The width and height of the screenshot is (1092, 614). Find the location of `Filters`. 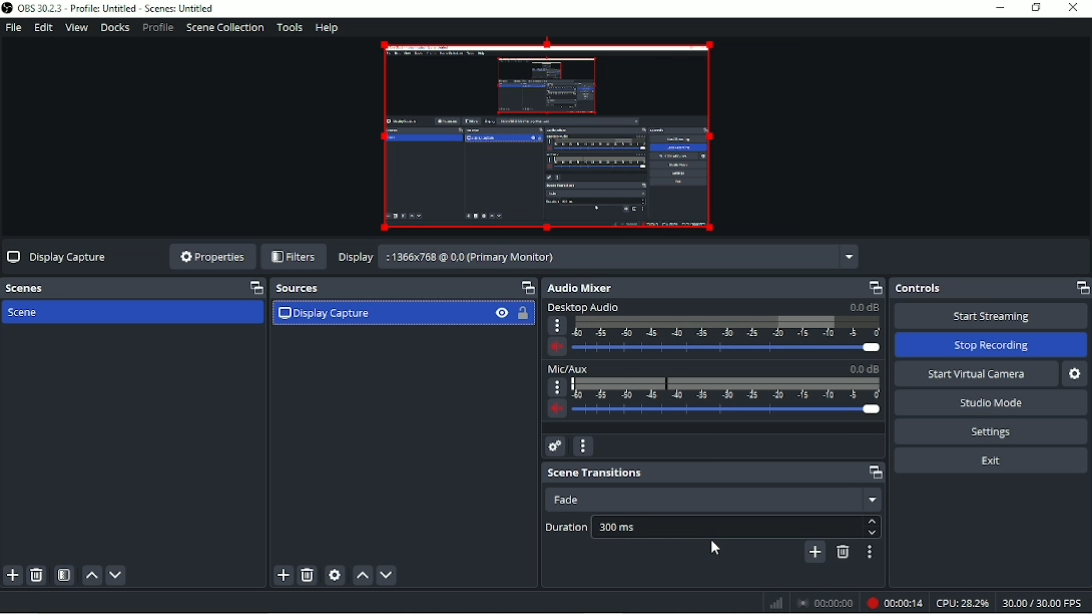

Filters is located at coordinates (296, 257).